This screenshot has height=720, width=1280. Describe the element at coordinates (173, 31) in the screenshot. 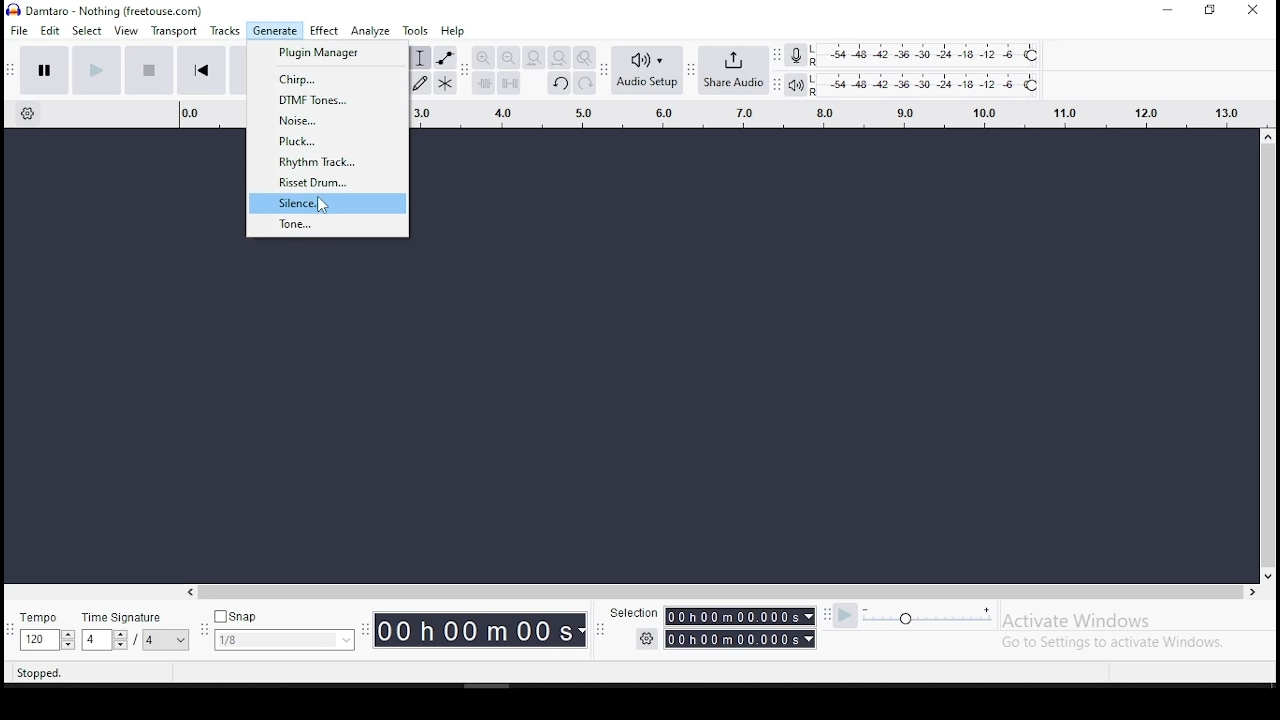

I see `transport` at that location.